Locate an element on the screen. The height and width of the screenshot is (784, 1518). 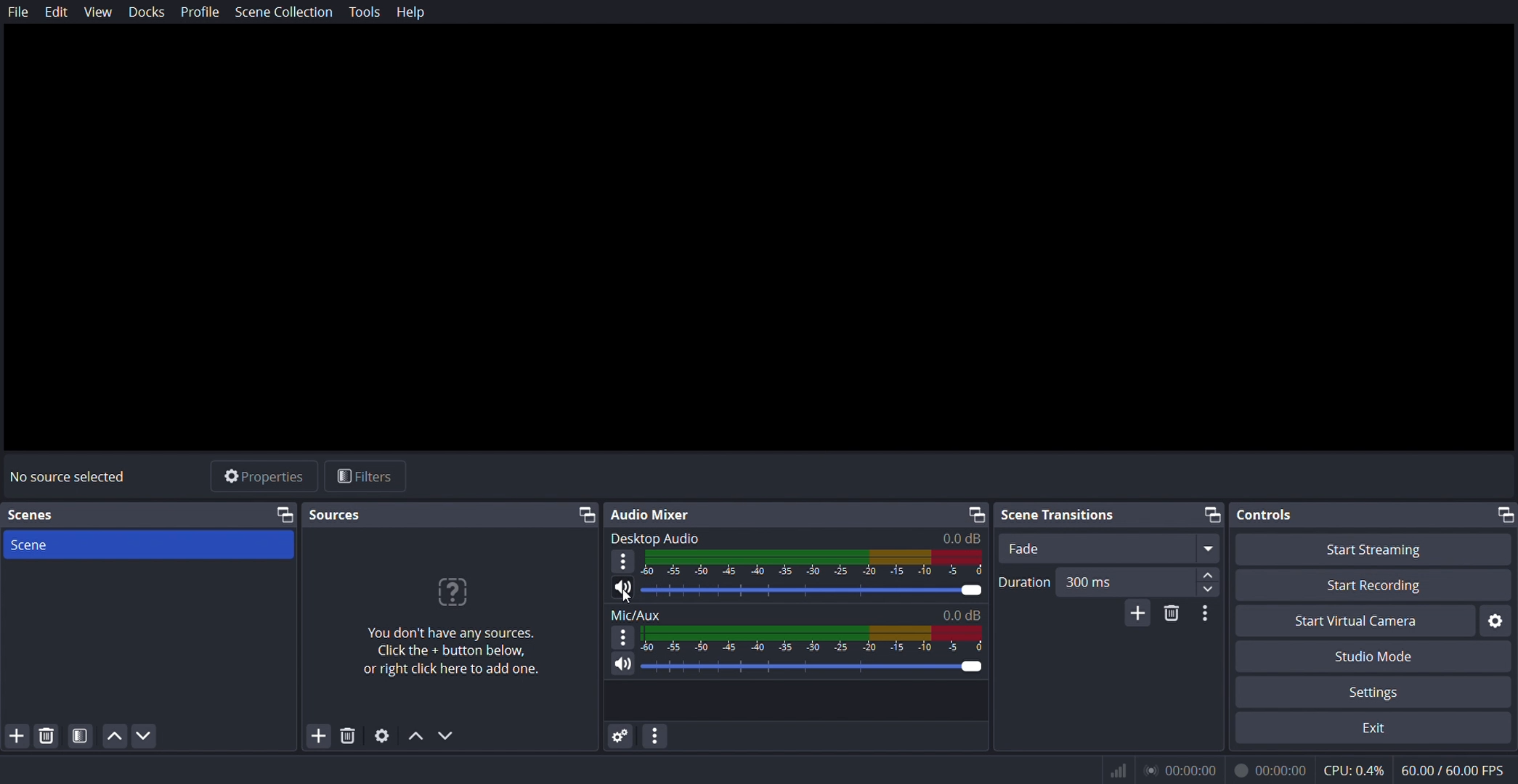
edit is located at coordinates (57, 12).